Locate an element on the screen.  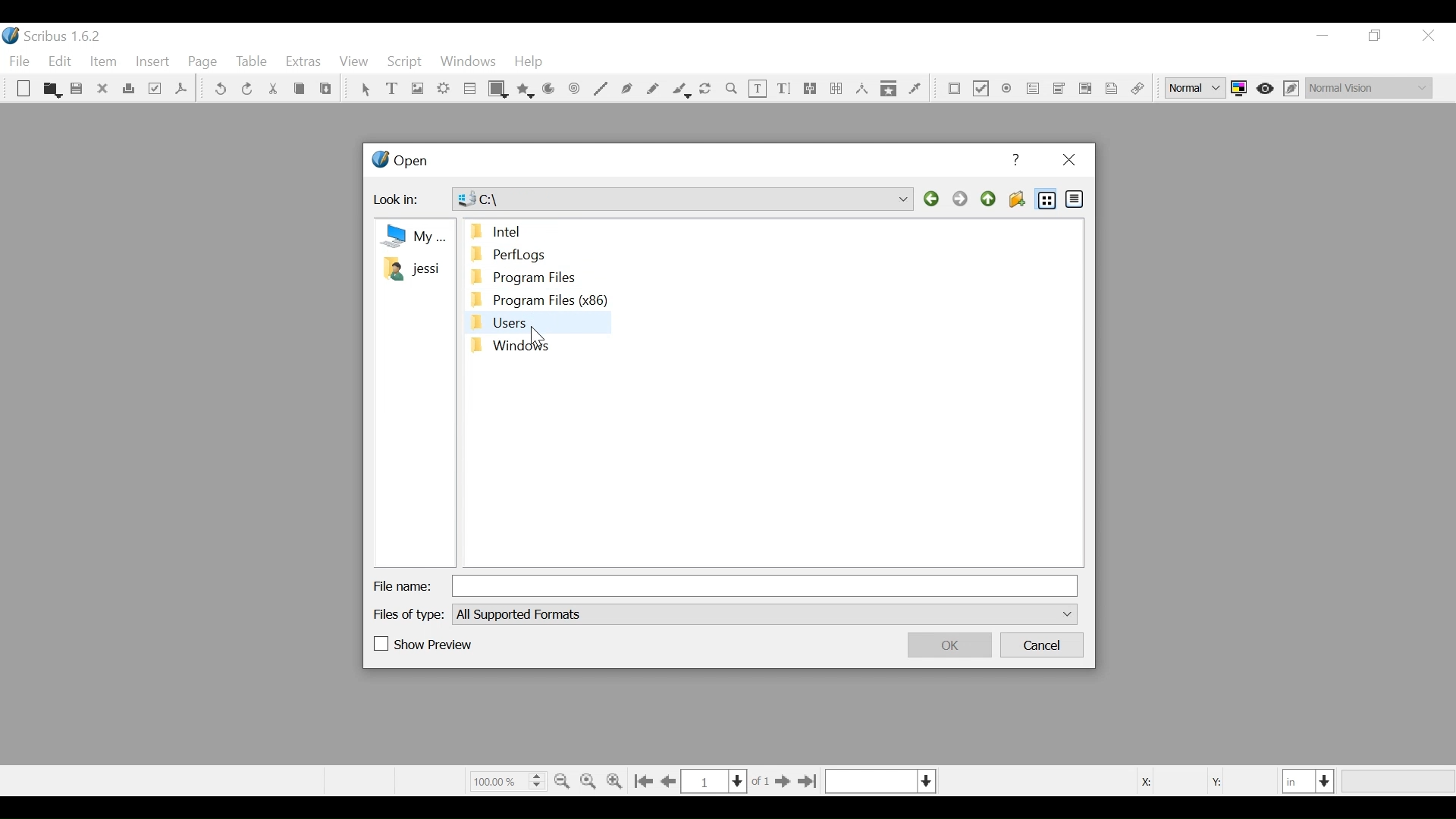
PDF Push Button is located at coordinates (955, 89).